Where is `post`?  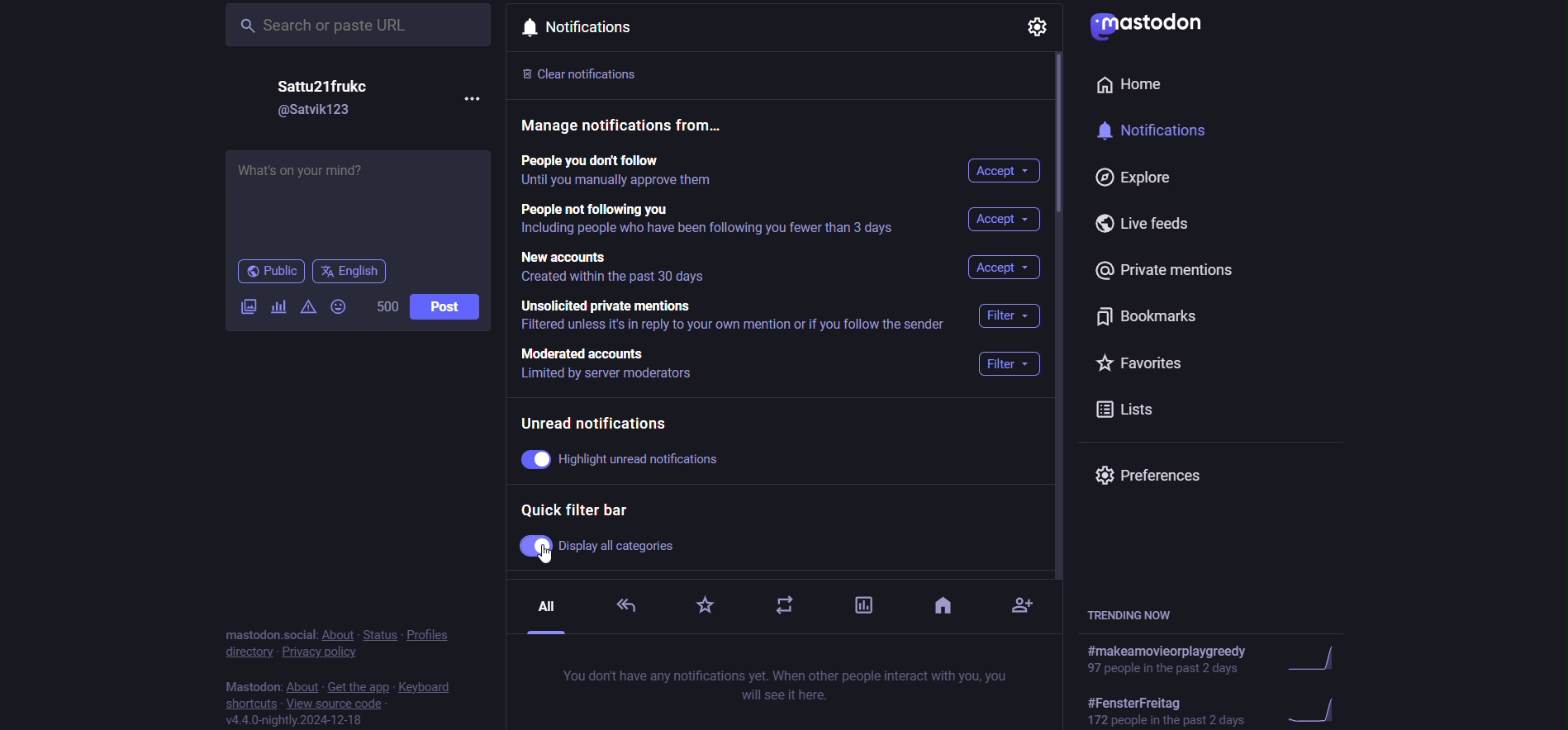 post is located at coordinates (449, 309).